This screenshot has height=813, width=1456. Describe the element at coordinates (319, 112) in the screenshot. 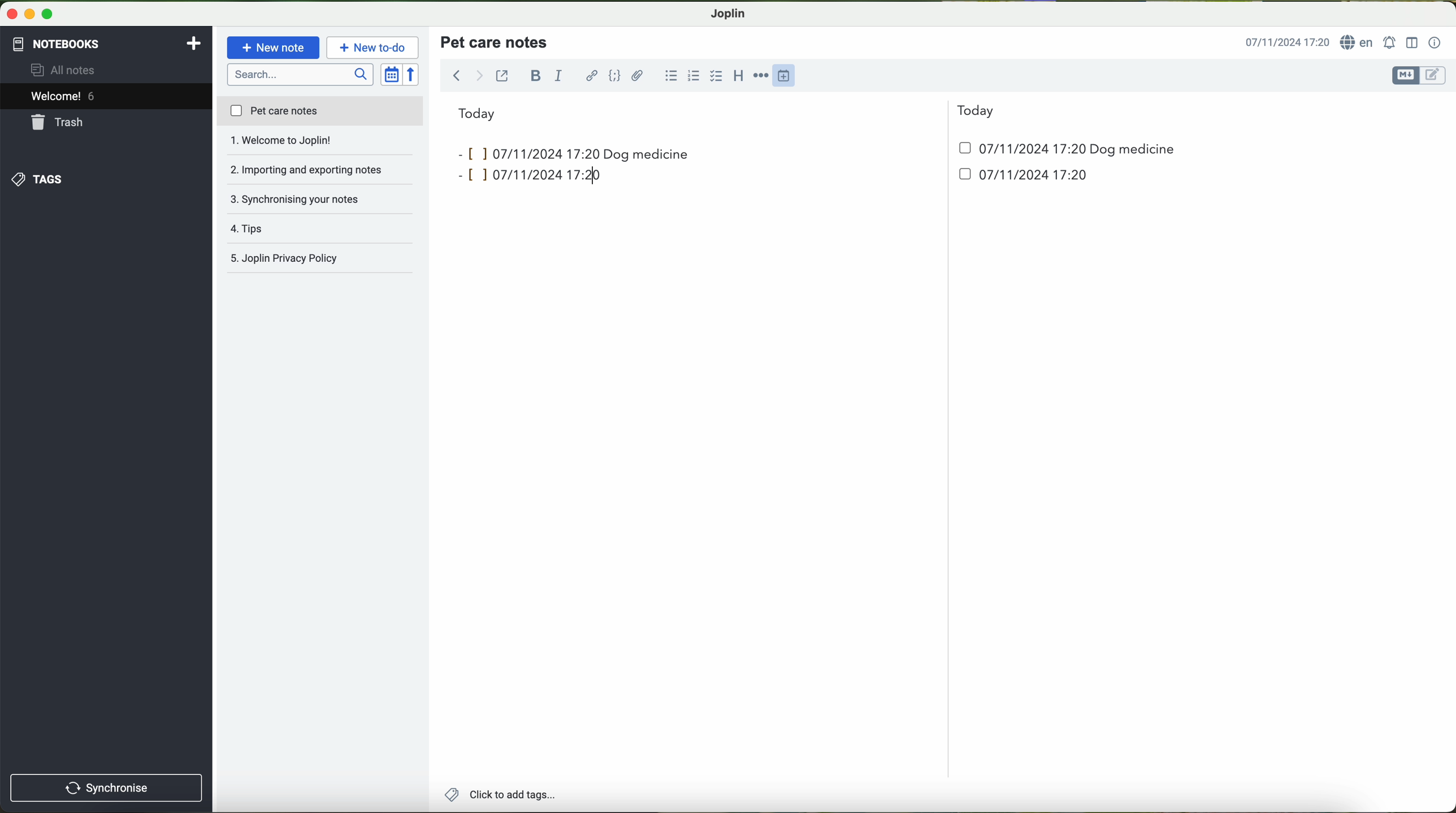

I see `pet care notes file` at that location.